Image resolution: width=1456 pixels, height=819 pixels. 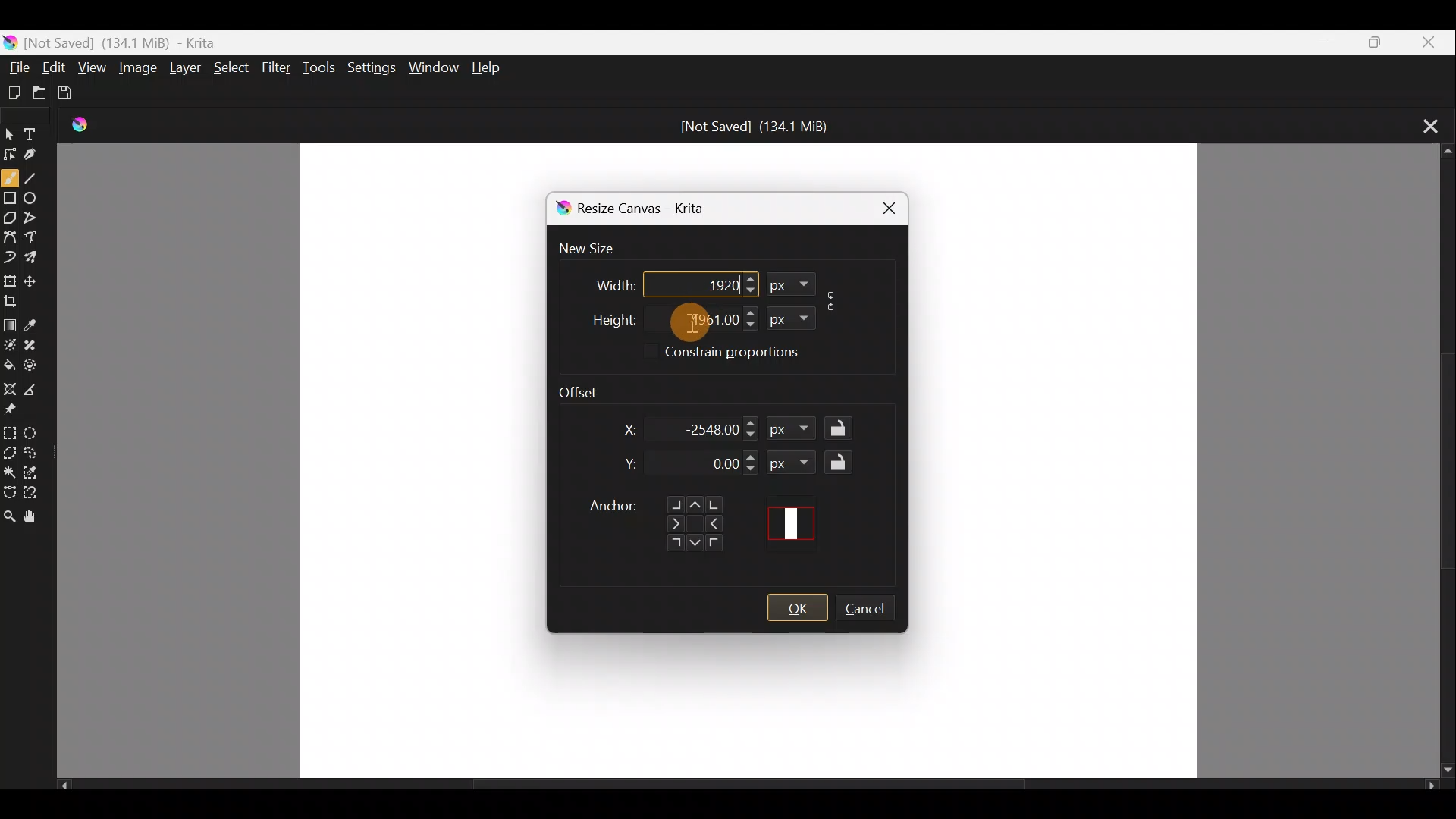 What do you see at coordinates (10, 256) in the screenshot?
I see `Dynamic brush tool` at bounding box center [10, 256].